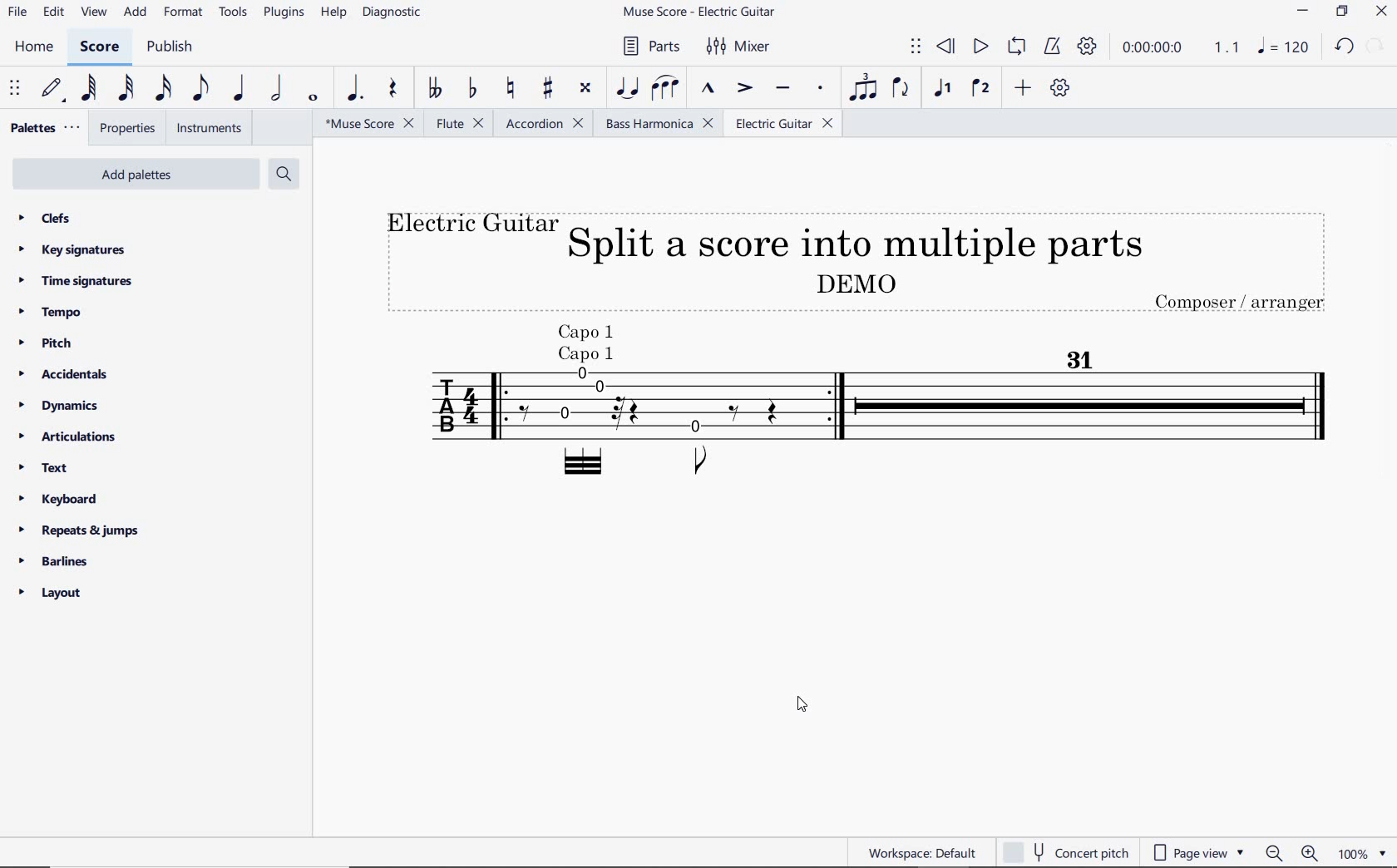 The image size is (1397, 868). Describe the element at coordinates (798, 705) in the screenshot. I see `cursor` at that location.